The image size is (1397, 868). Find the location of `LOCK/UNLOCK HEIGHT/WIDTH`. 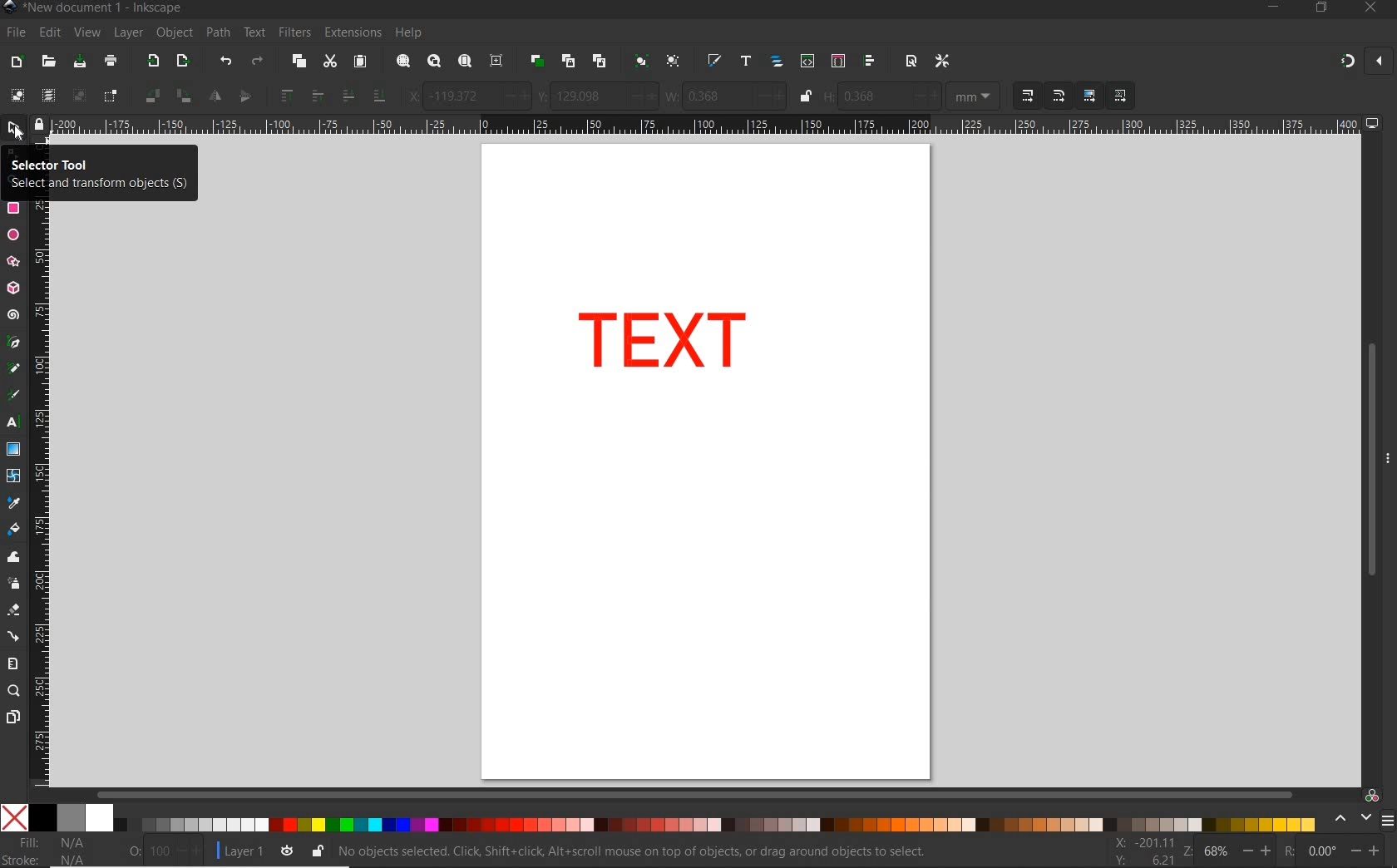

LOCK/UNLOCK HEIGHT/WIDTH is located at coordinates (807, 96).